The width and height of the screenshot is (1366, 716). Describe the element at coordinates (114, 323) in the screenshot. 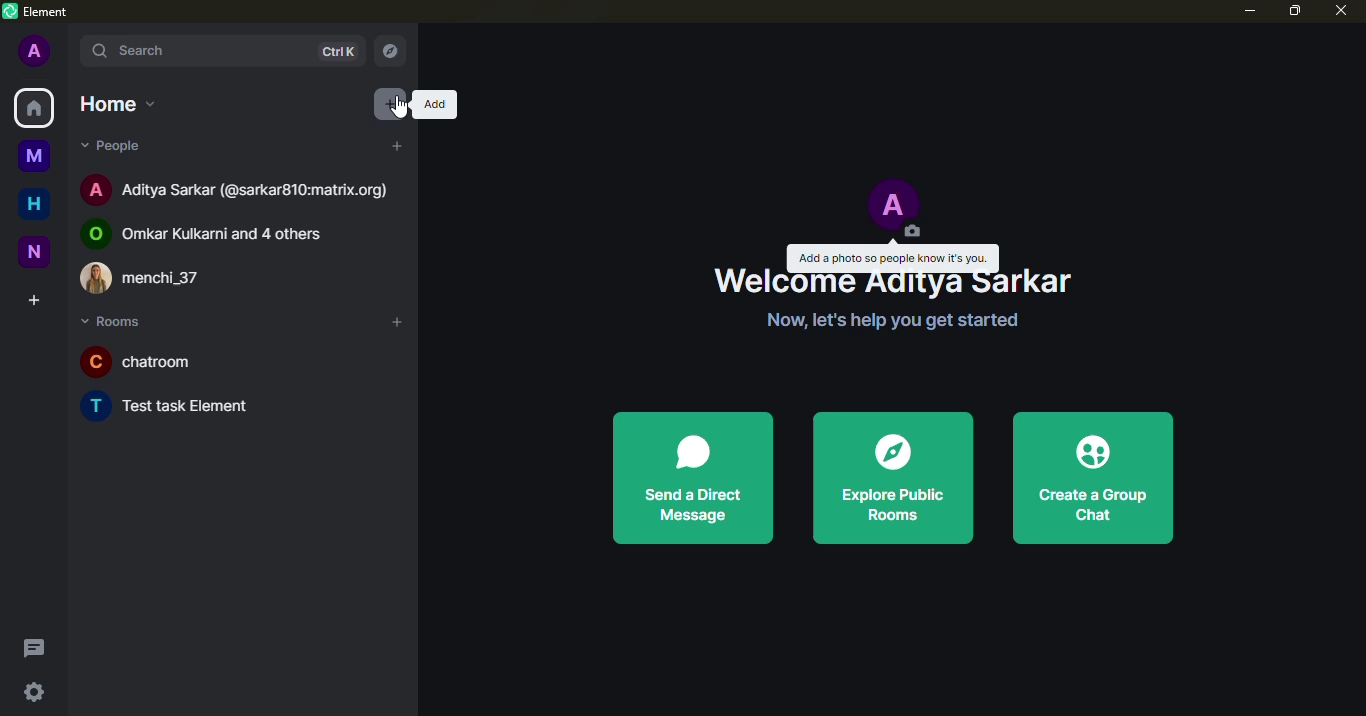

I see `rooms` at that location.